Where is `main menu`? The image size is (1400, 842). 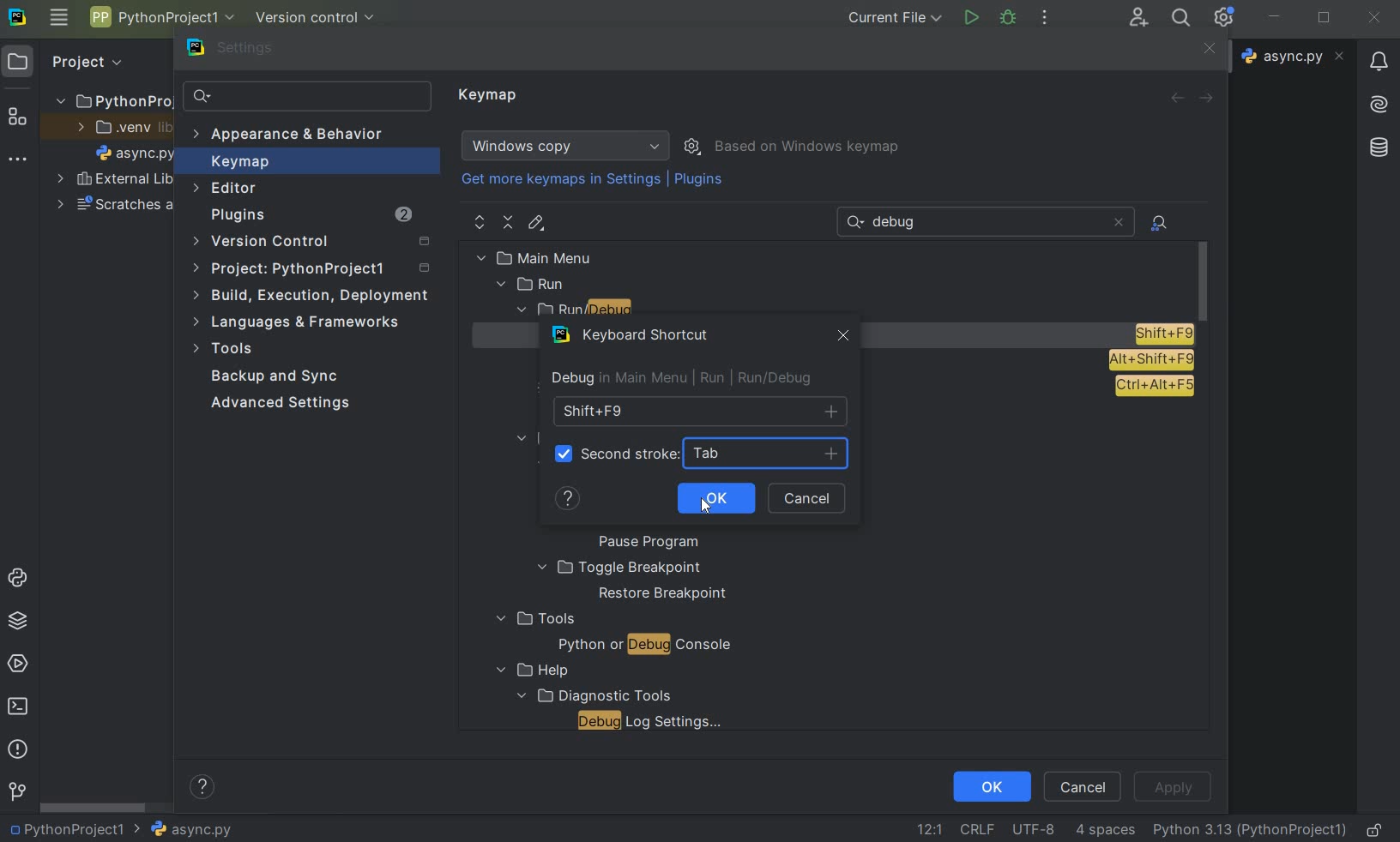
main menu is located at coordinates (58, 17).